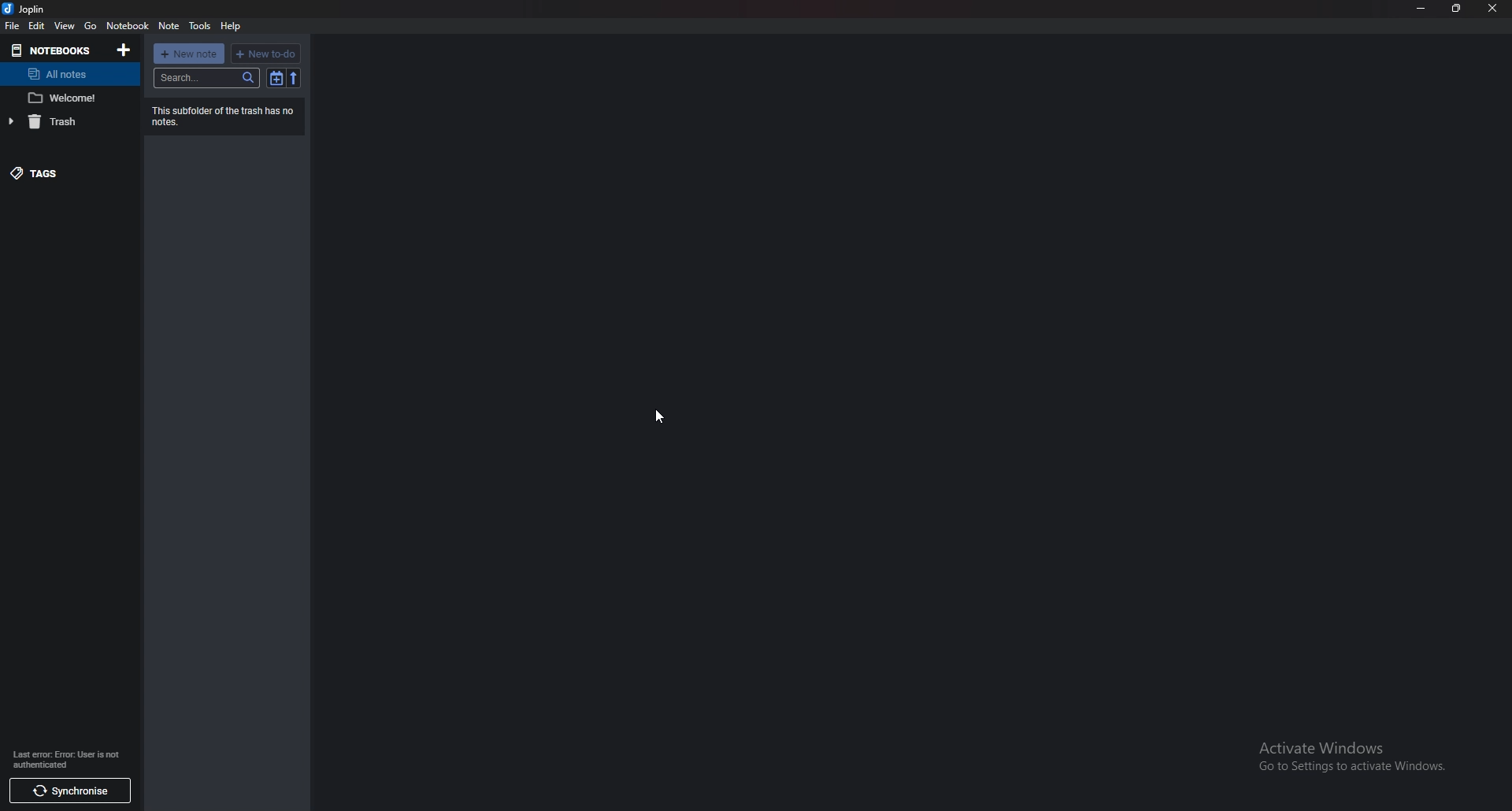 The height and width of the screenshot is (811, 1512). I want to click on search, so click(208, 78).